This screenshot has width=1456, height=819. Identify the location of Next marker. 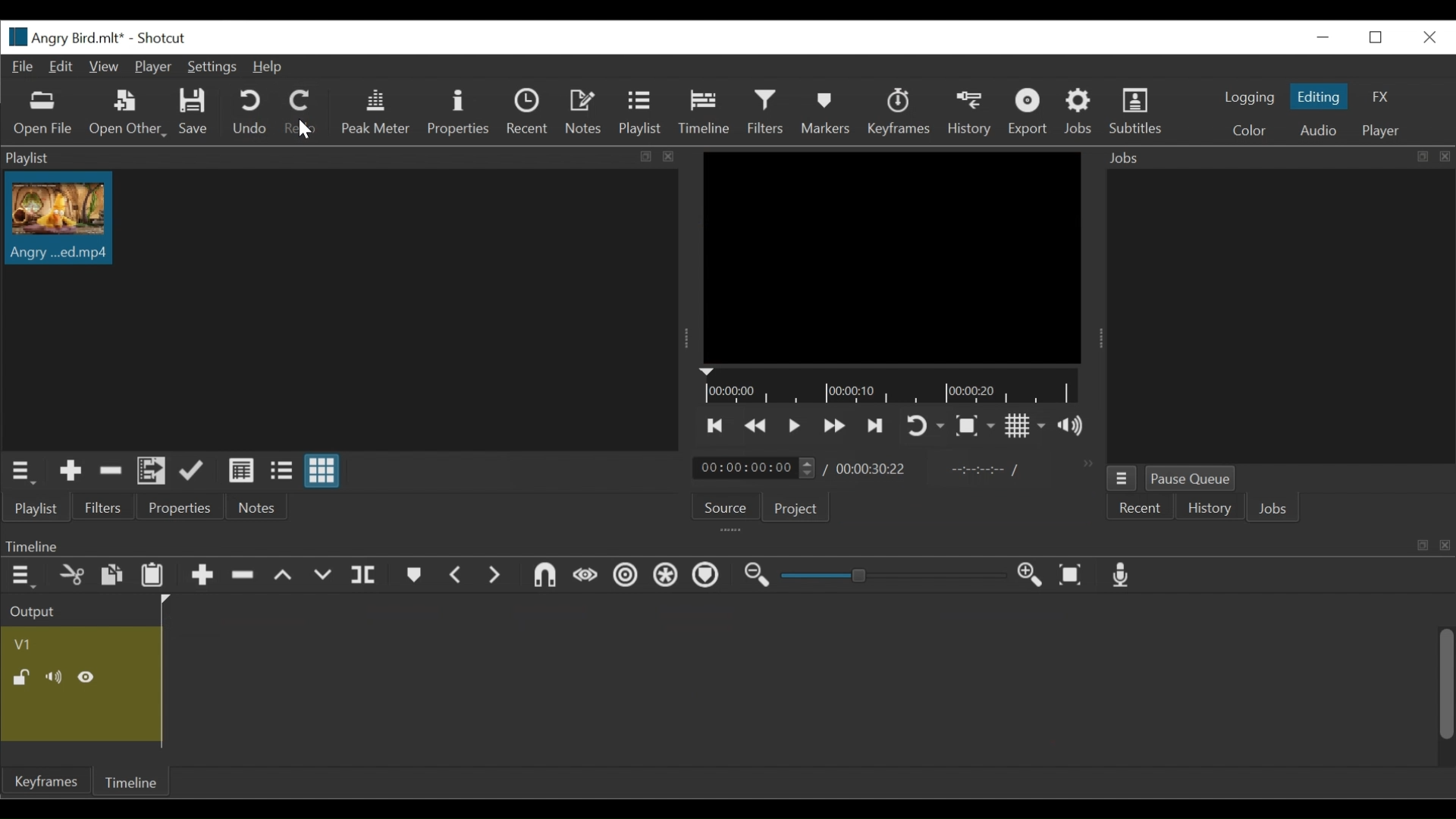
(495, 576).